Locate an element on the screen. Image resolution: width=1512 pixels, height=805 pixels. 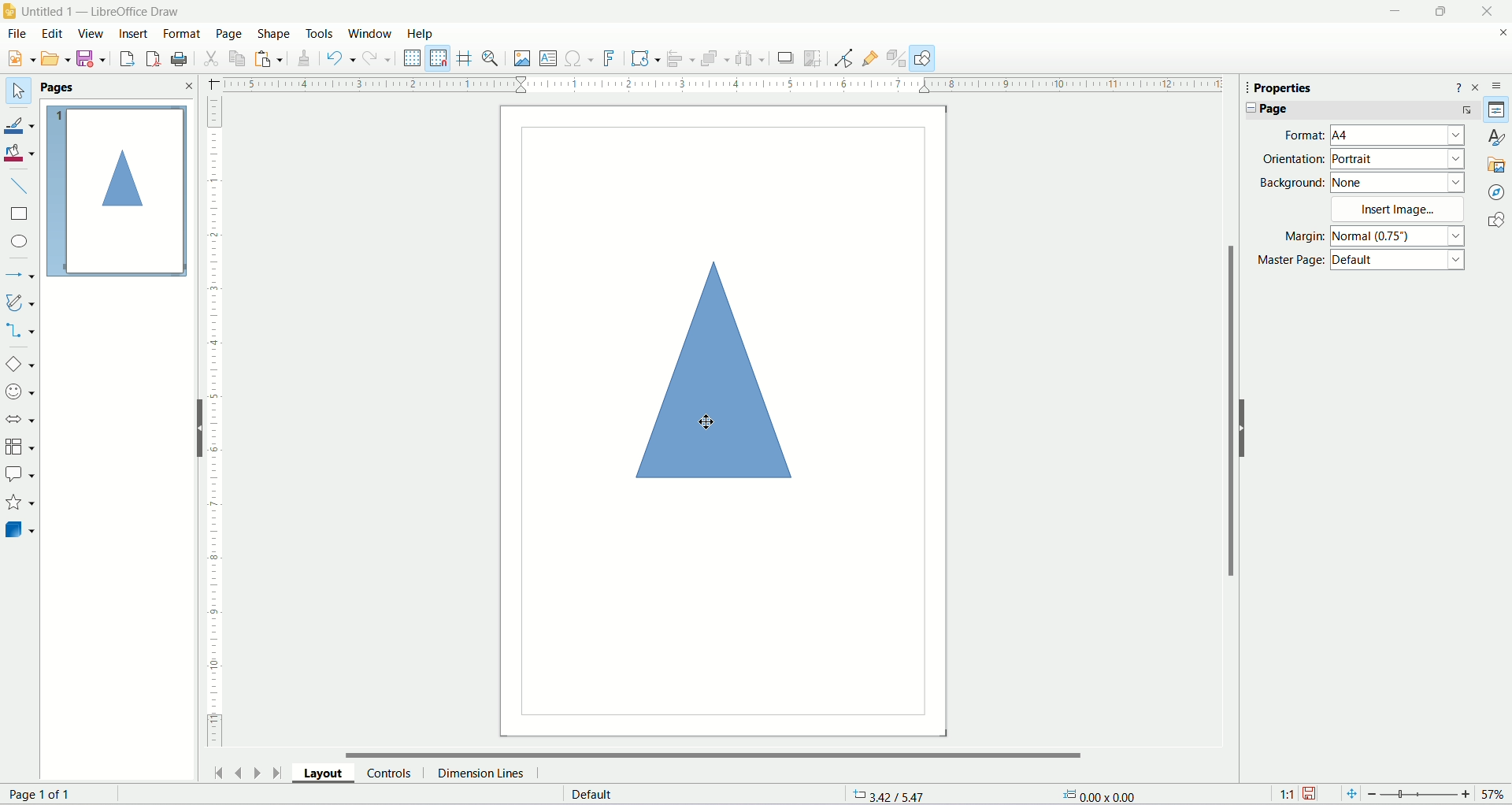
Text is located at coordinates (1099, 796).